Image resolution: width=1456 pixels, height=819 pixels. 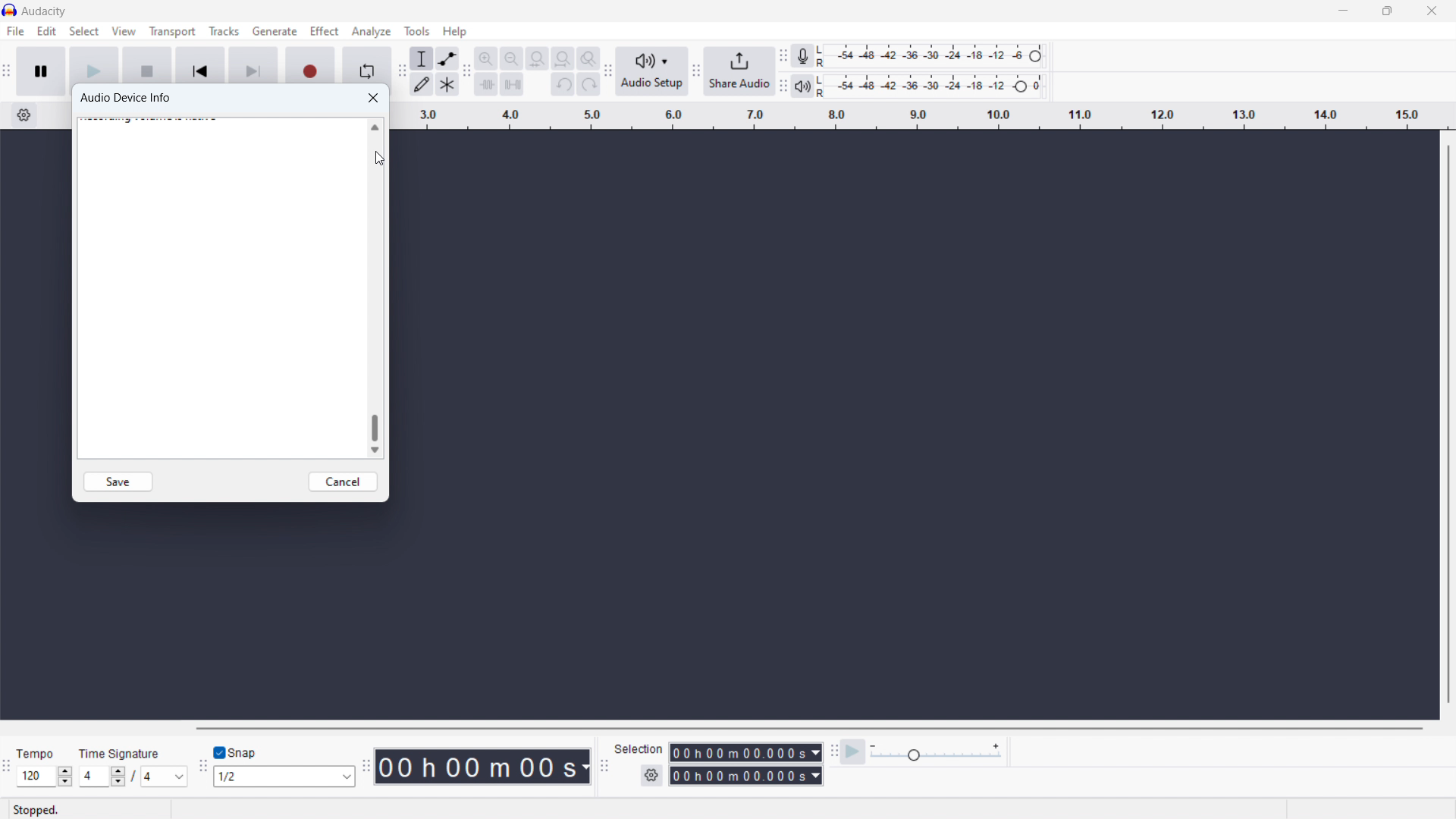 What do you see at coordinates (36, 809) in the screenshot?
I see `Stopped` at bounding box center [36, 809].